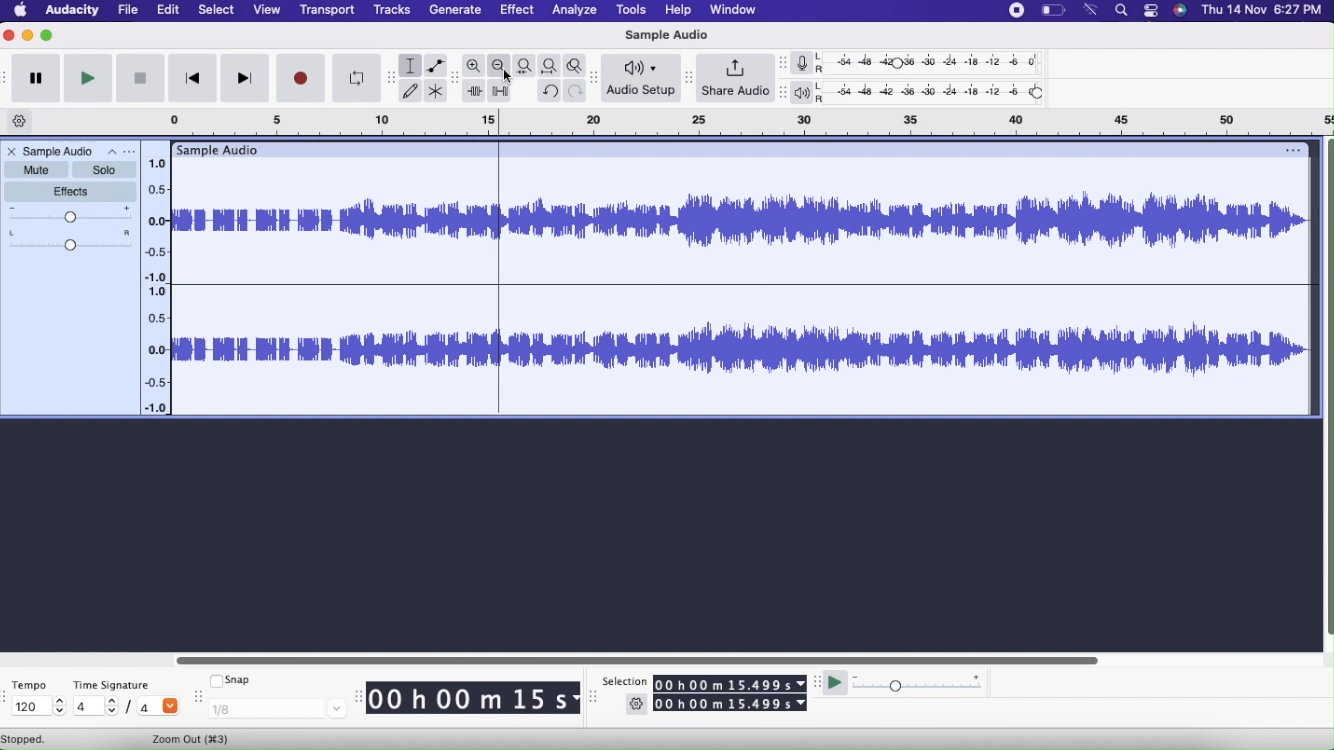 The height and width of the screenshot is (750, 1334). I want to click on Zoom Toggle, so click(575, 66).